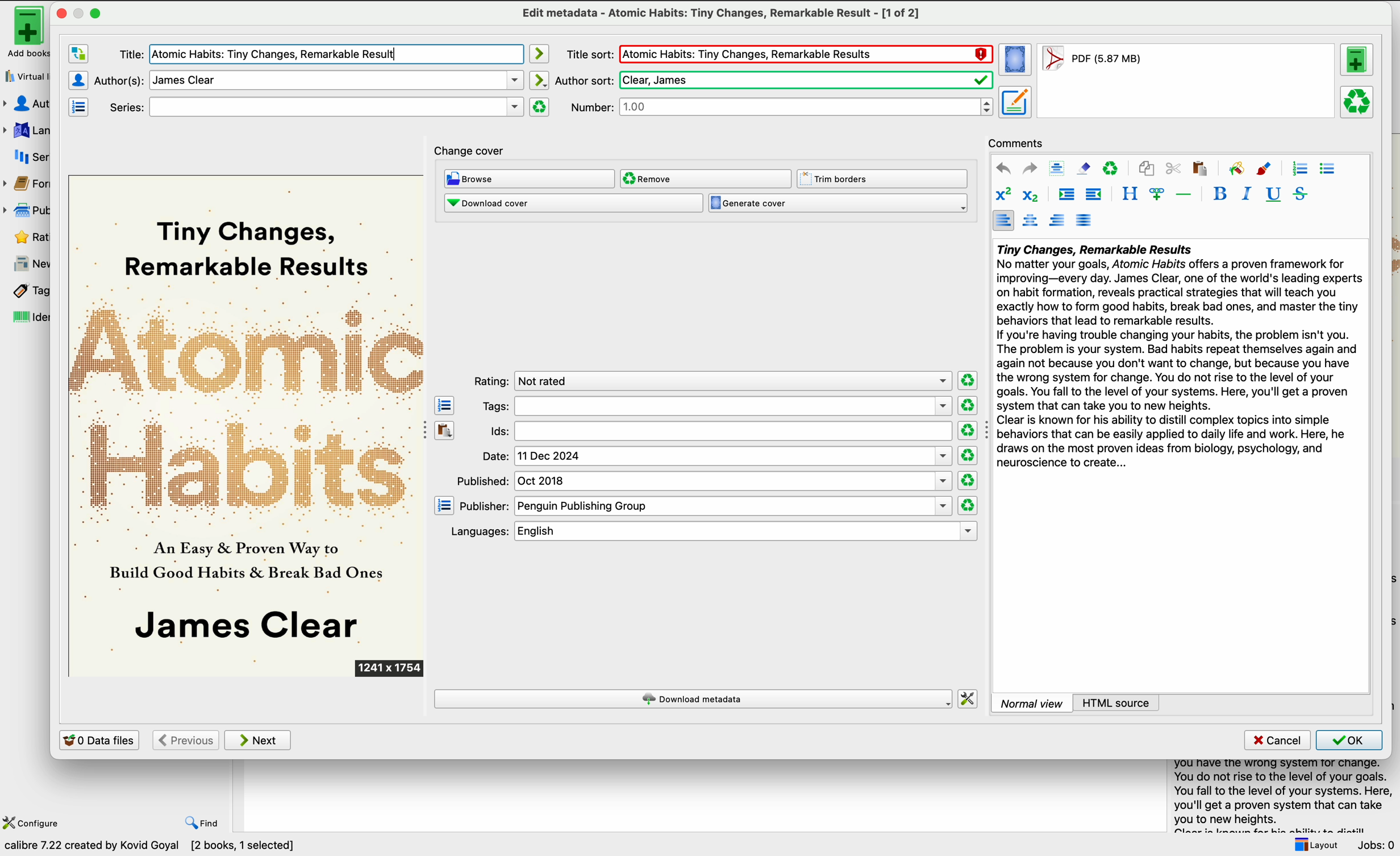  Describe the element at coordinates (1199, 168) in the screenshot. I see `paste` at that location.